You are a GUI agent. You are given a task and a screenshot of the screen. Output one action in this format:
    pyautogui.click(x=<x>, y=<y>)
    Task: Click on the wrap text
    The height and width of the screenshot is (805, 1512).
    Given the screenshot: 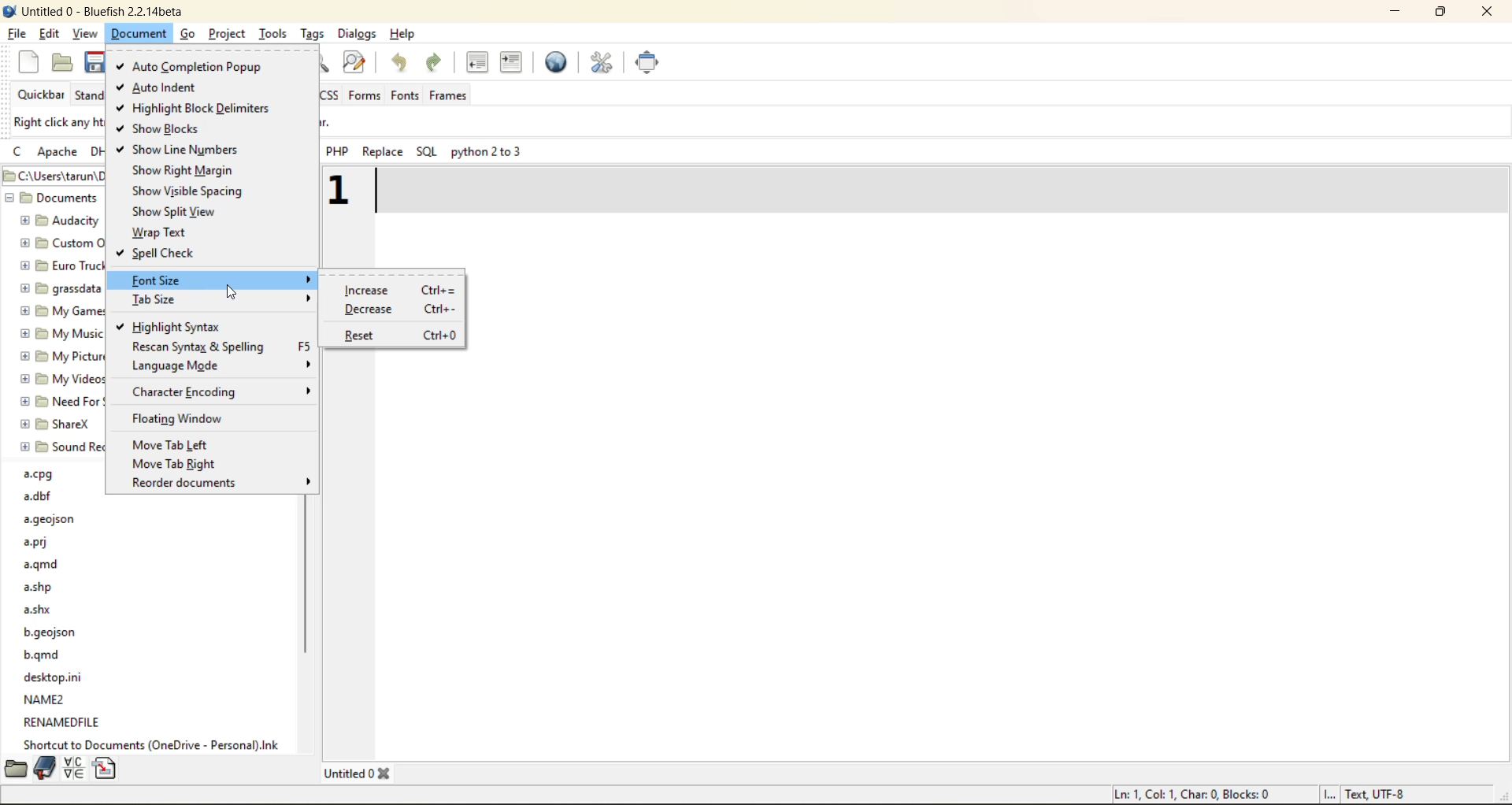 What is the action you would take?
    pyautogui.click(x=168, y=235)
    